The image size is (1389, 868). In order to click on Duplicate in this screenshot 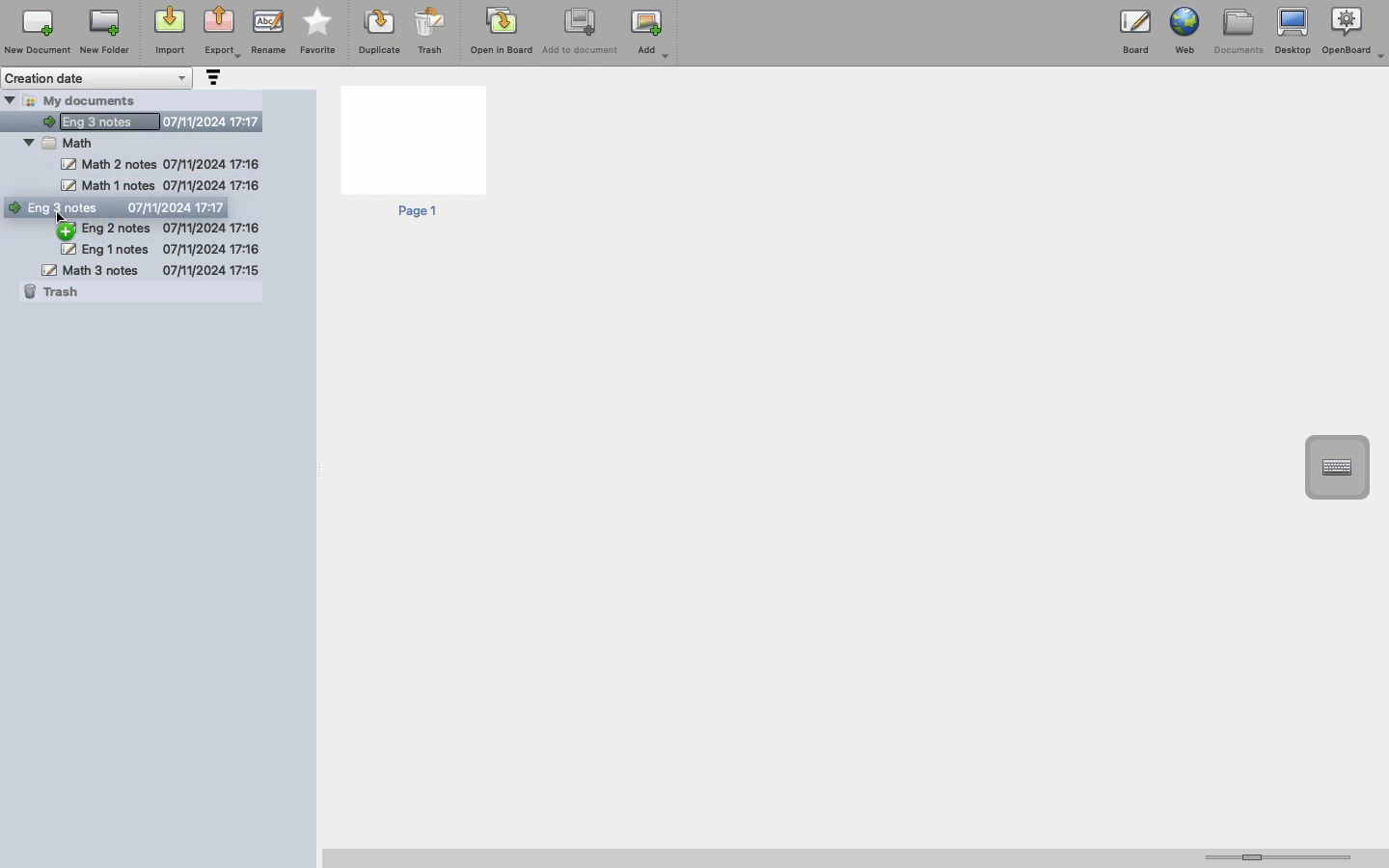, I will do `click(377, 32)`.